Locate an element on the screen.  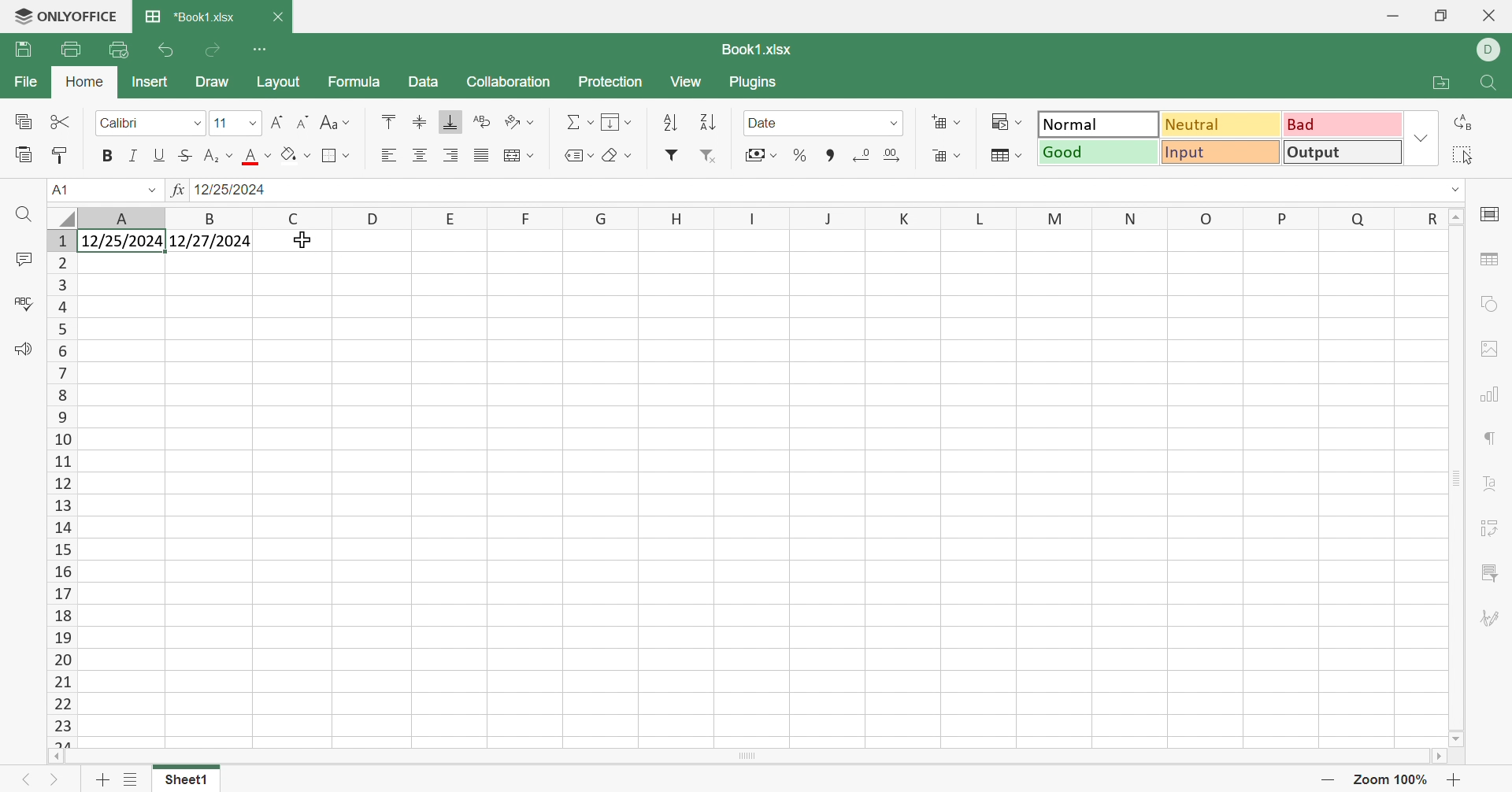
Accounting style is located at coordinates (763, 154).